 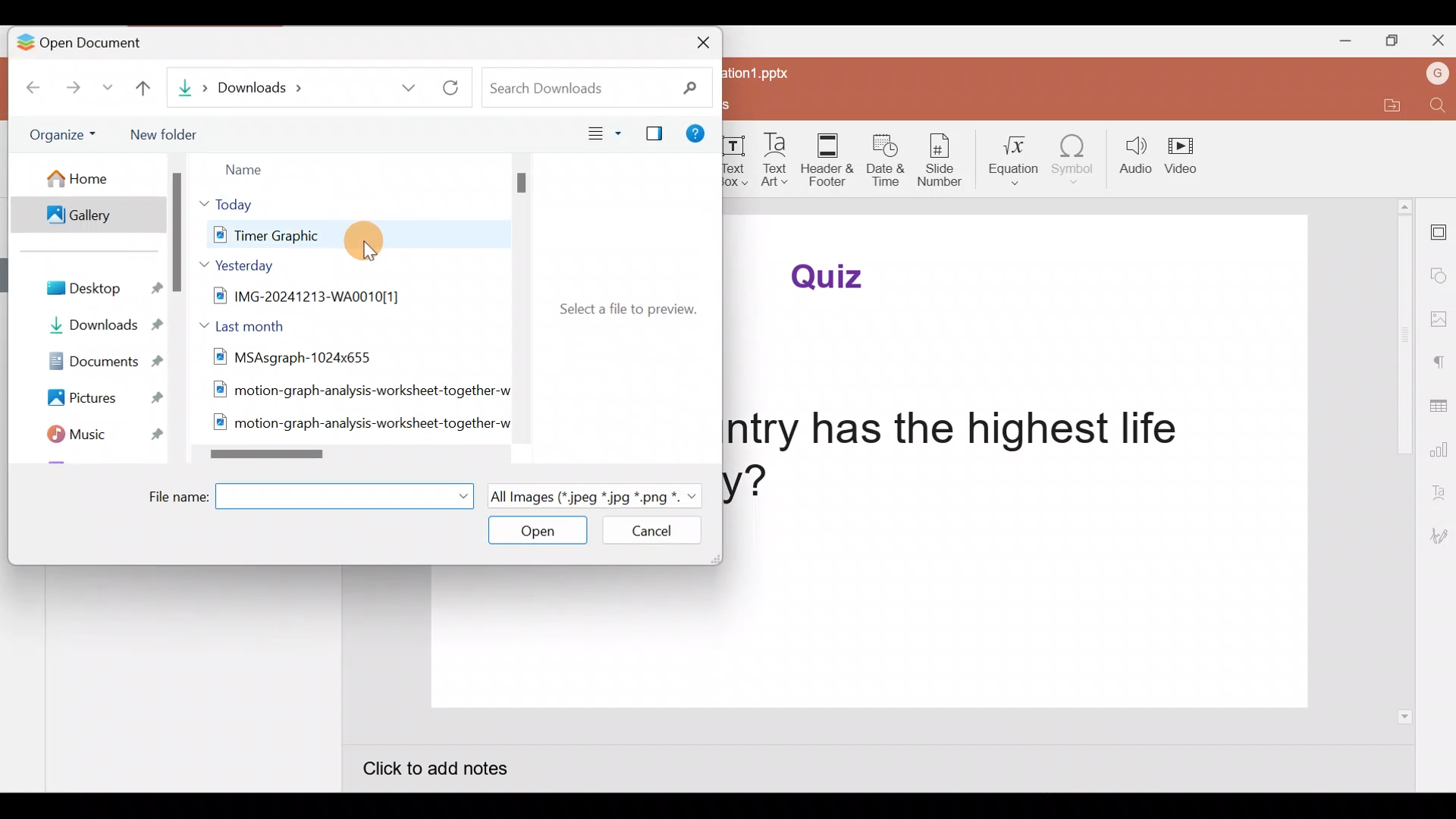 What do you see at coordinates (1342, 39) in the screenshot?
I see `Minimize` at bounding box center [1342, 39].